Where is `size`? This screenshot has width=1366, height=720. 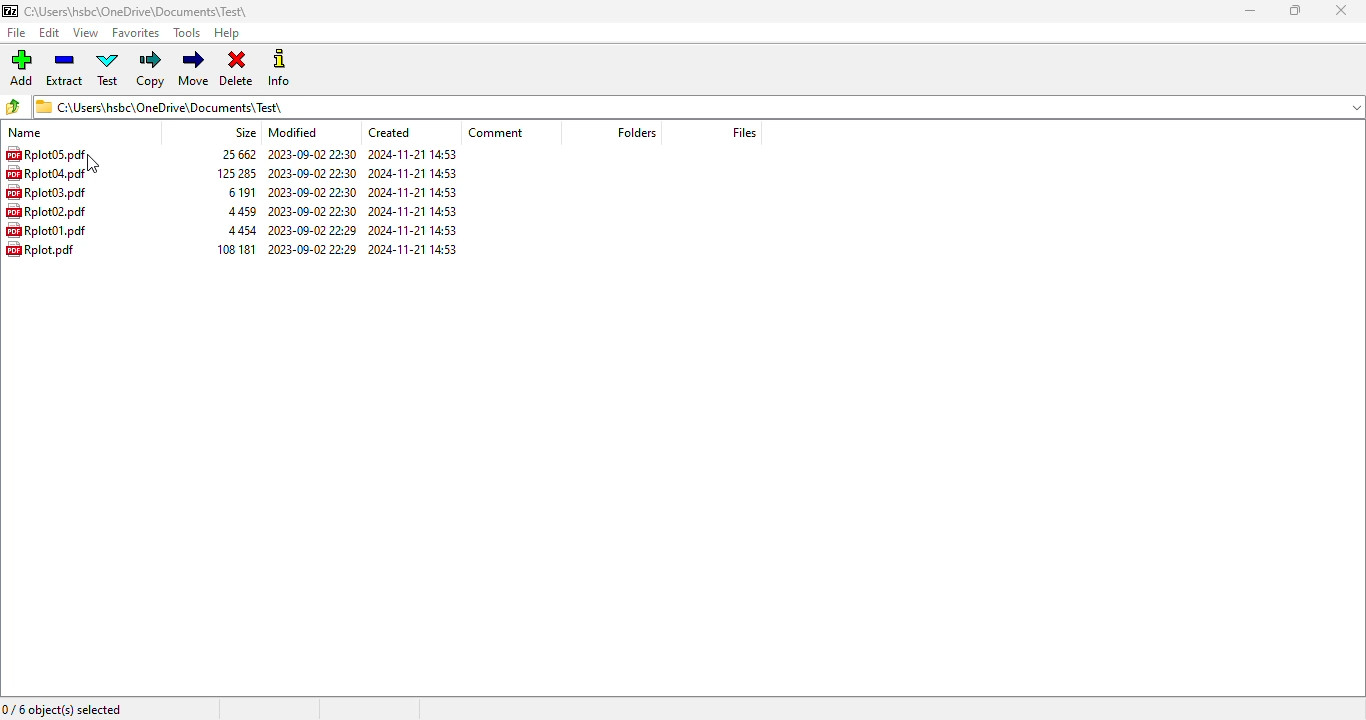
size is located at coordinates (242, 211).